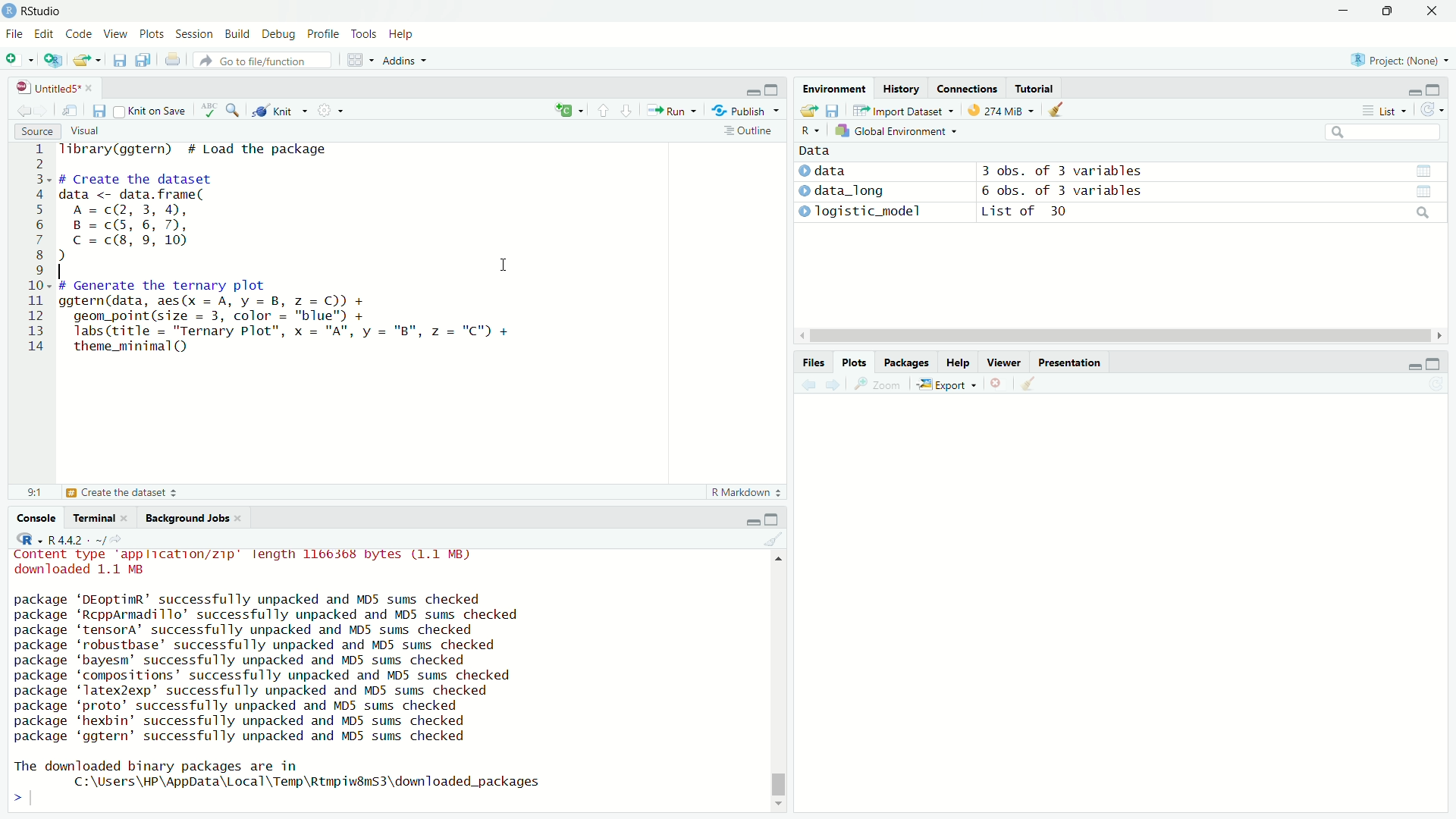 The height and width of the screenshot is (819, 1456). Describe the element at coordinates (83, 130) in the screenshot. I see `Visual` at that location.